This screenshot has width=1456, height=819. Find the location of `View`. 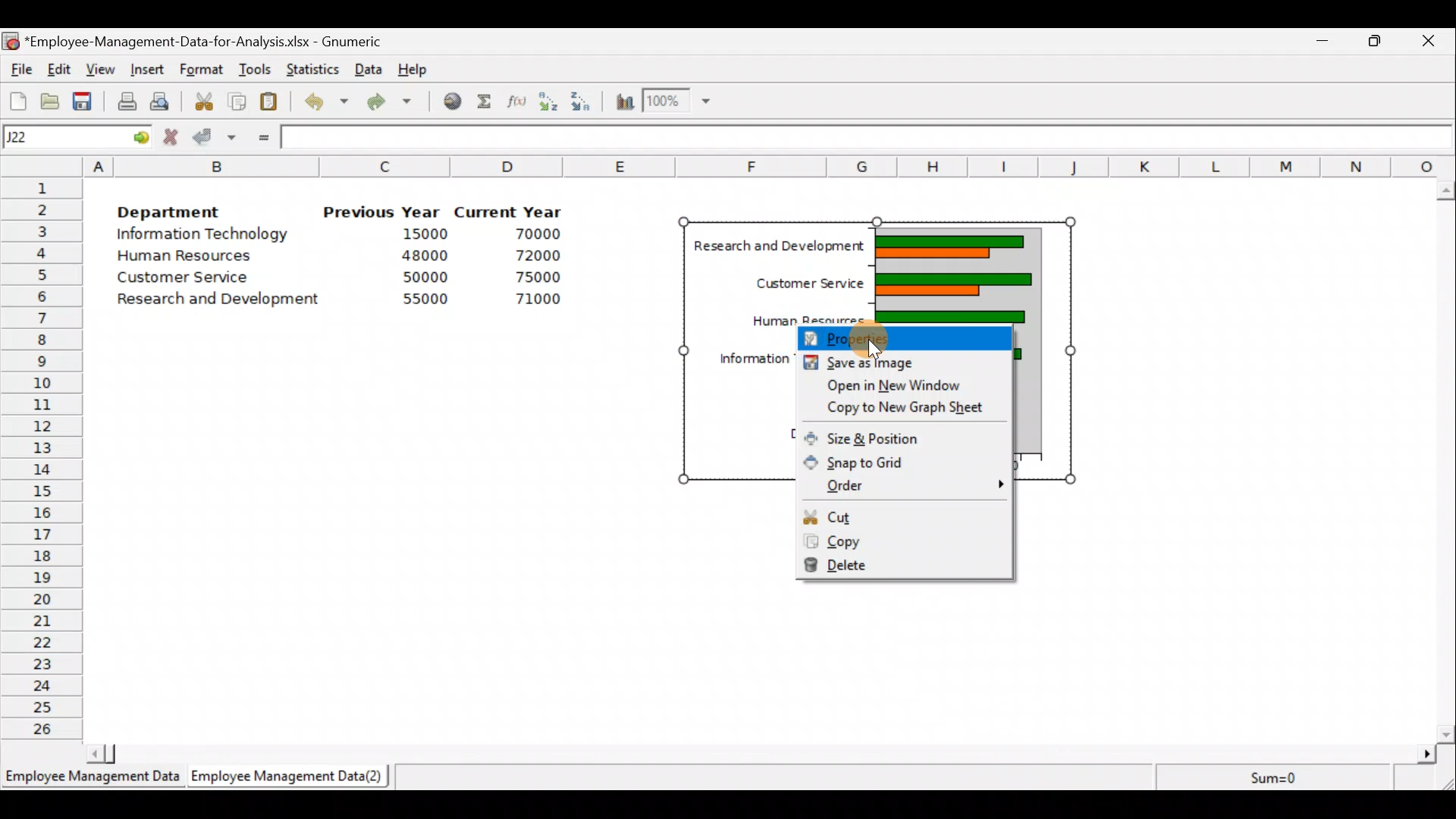

View is located at coordinates (101, 68).